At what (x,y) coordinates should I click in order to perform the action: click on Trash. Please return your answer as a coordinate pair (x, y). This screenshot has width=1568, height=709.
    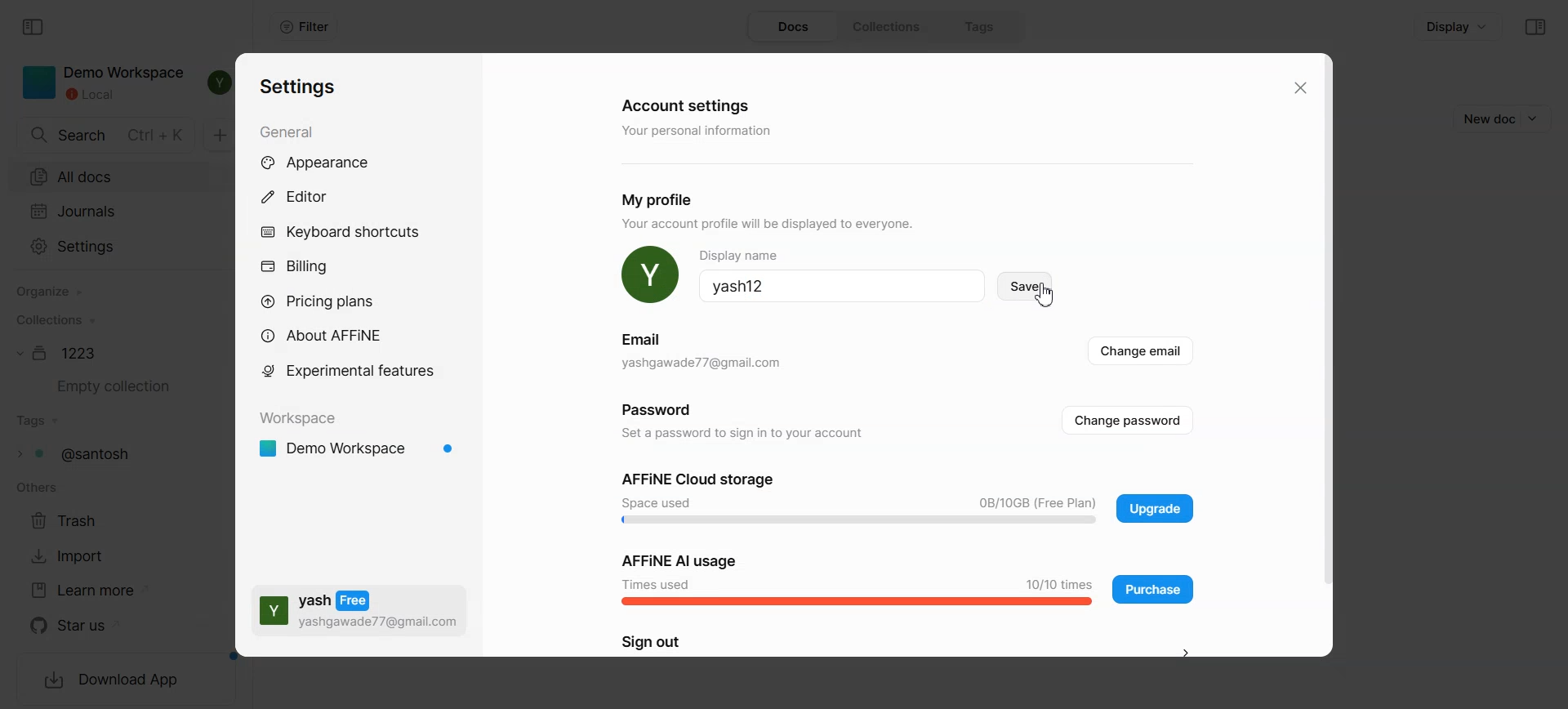
    Looking at the image, I should click on (73, 519).